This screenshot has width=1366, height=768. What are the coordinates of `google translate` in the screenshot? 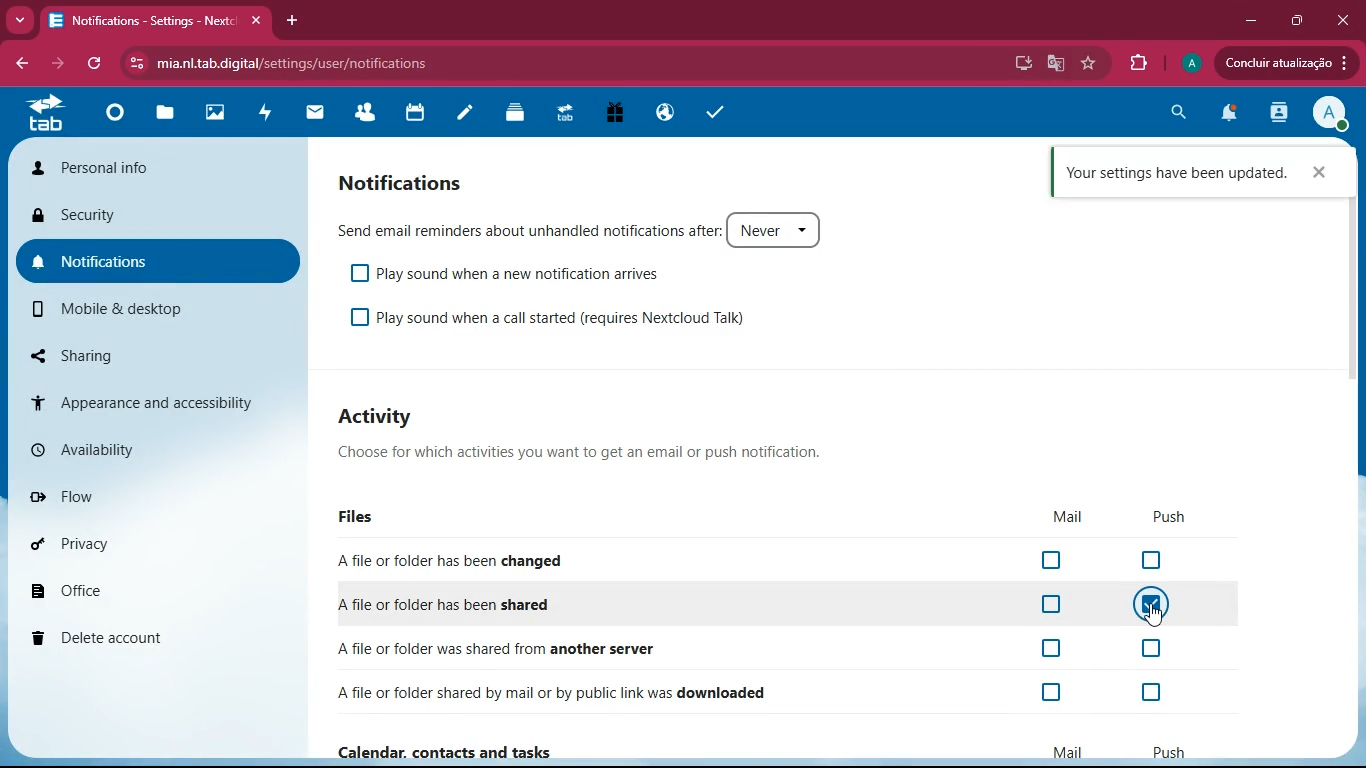 It's located at (1054, 63).